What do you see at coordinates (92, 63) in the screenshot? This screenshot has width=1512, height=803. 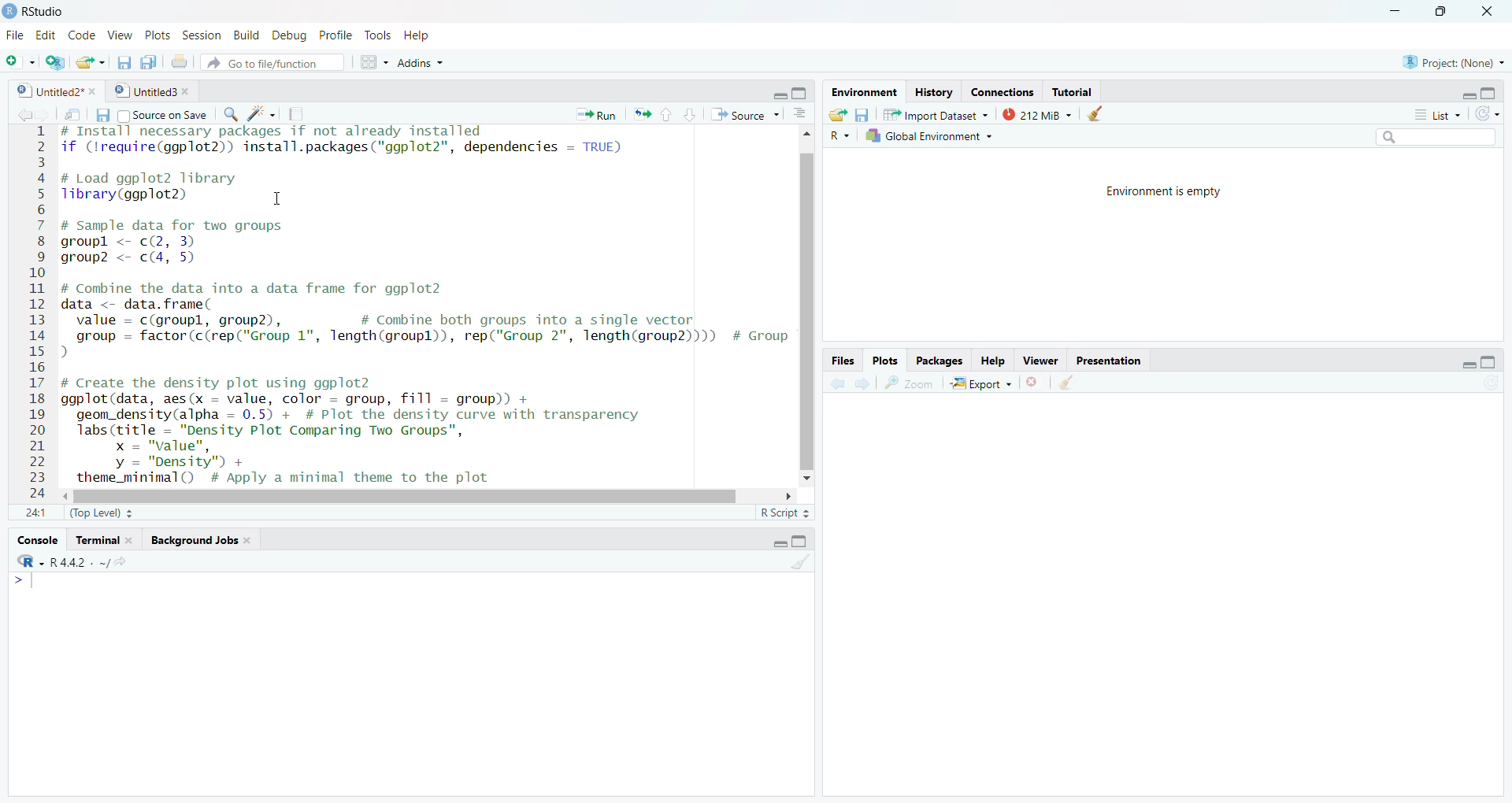 I see `open an existing file` at bounding box center [92, 63].